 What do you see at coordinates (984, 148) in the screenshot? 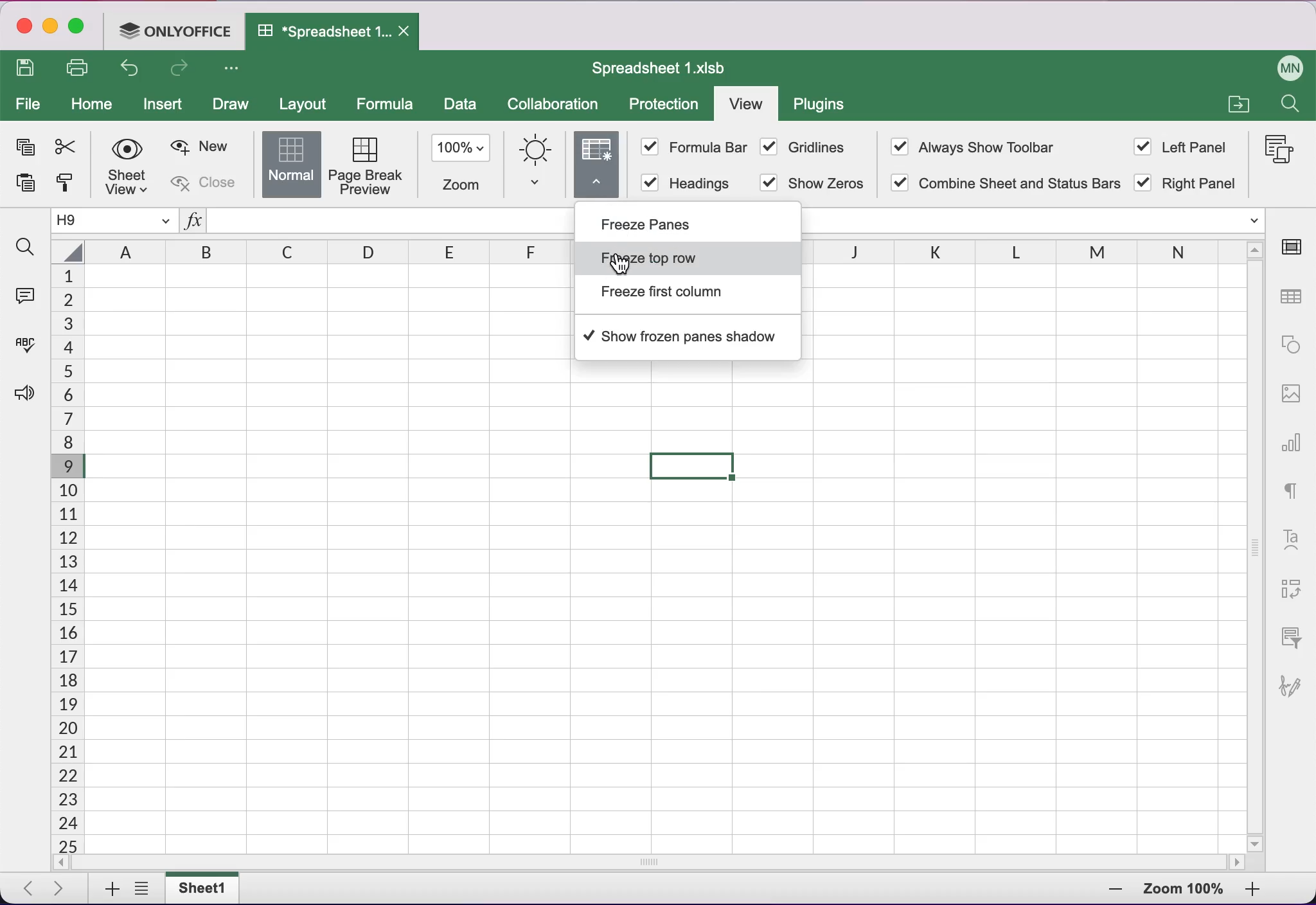
I see `always show toolbar` at bounding box center [984, 148].